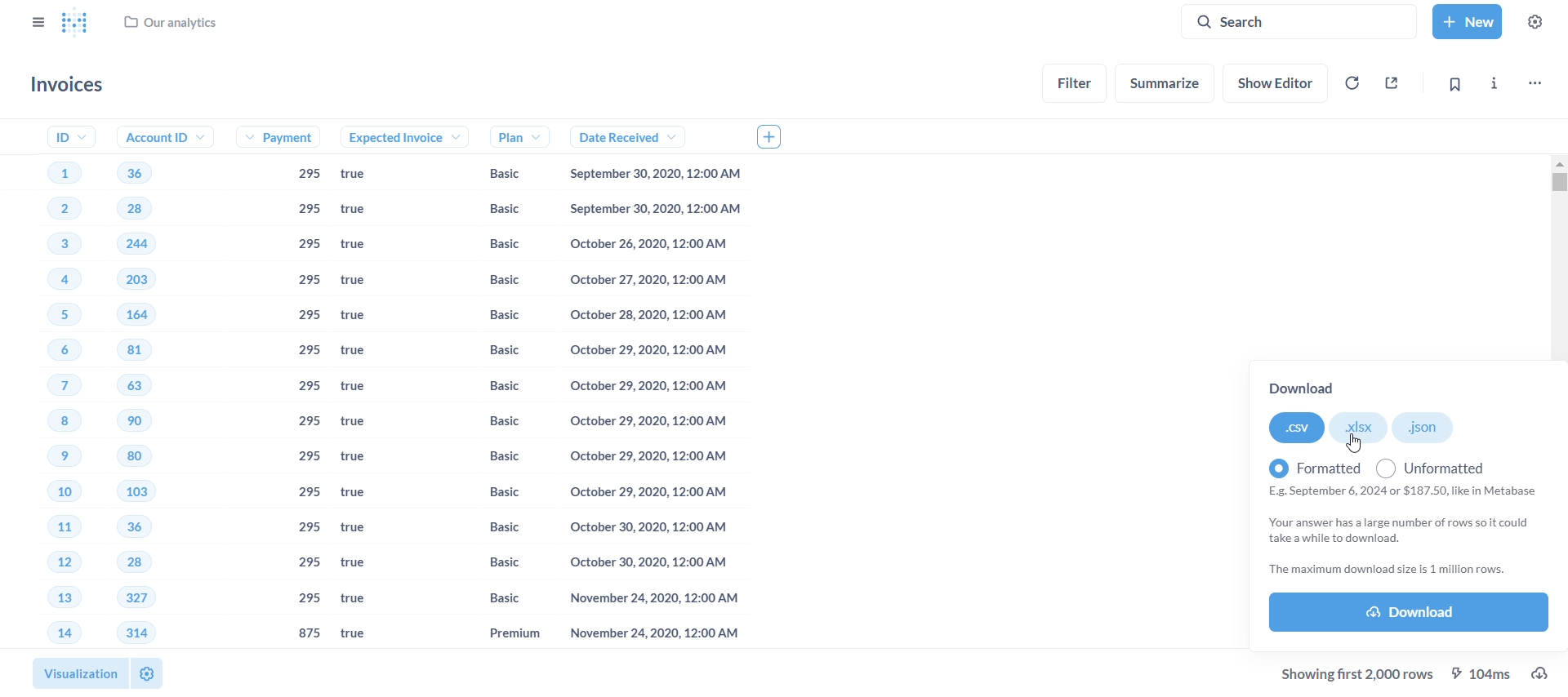 The height and width of the screenshot is (697, 1568). Describe the element at coordinates (1360, 673) in the screenshot. I see `showing first 2,000 rows ` at that location.